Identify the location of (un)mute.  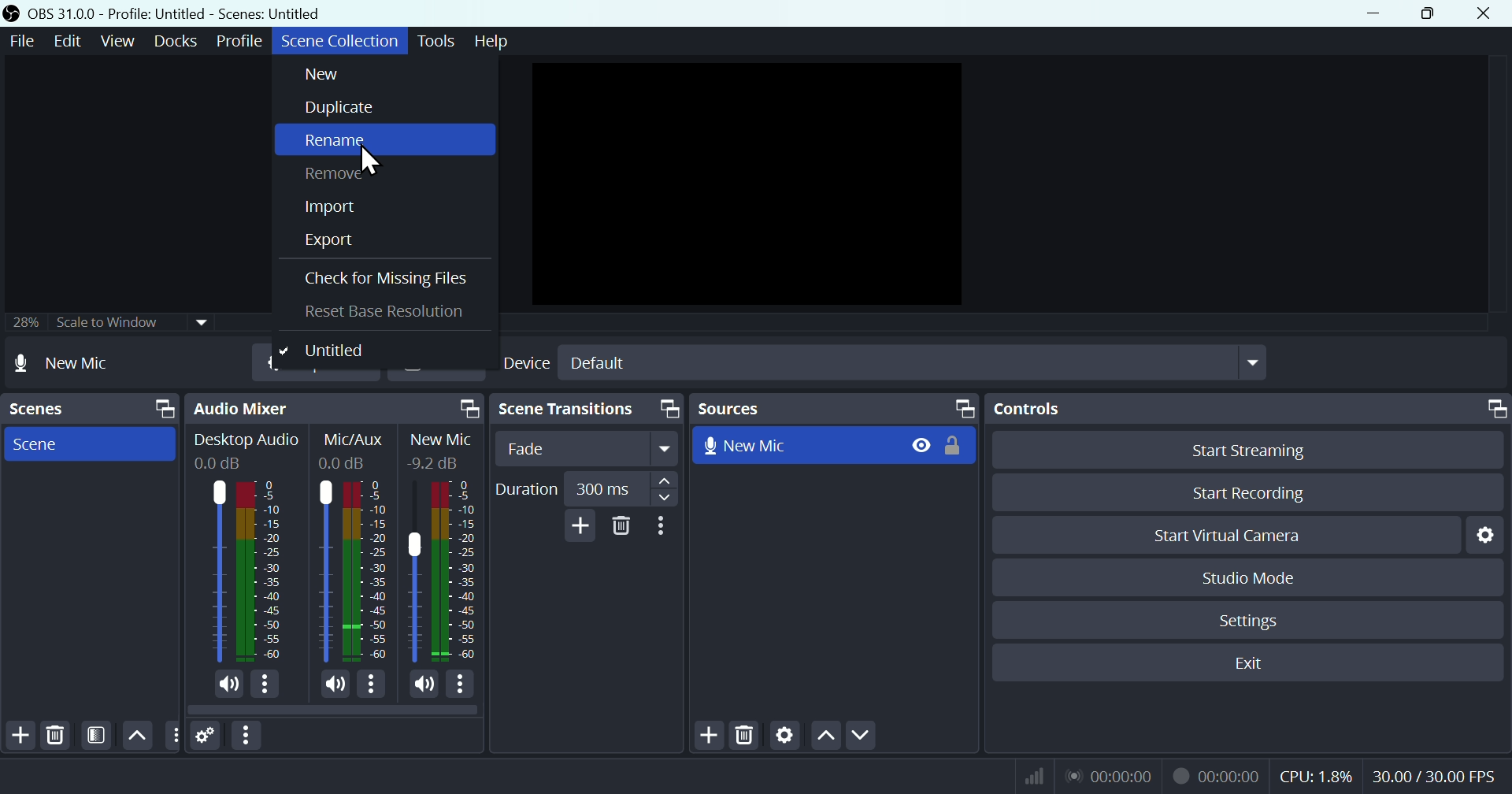
(229, 685).